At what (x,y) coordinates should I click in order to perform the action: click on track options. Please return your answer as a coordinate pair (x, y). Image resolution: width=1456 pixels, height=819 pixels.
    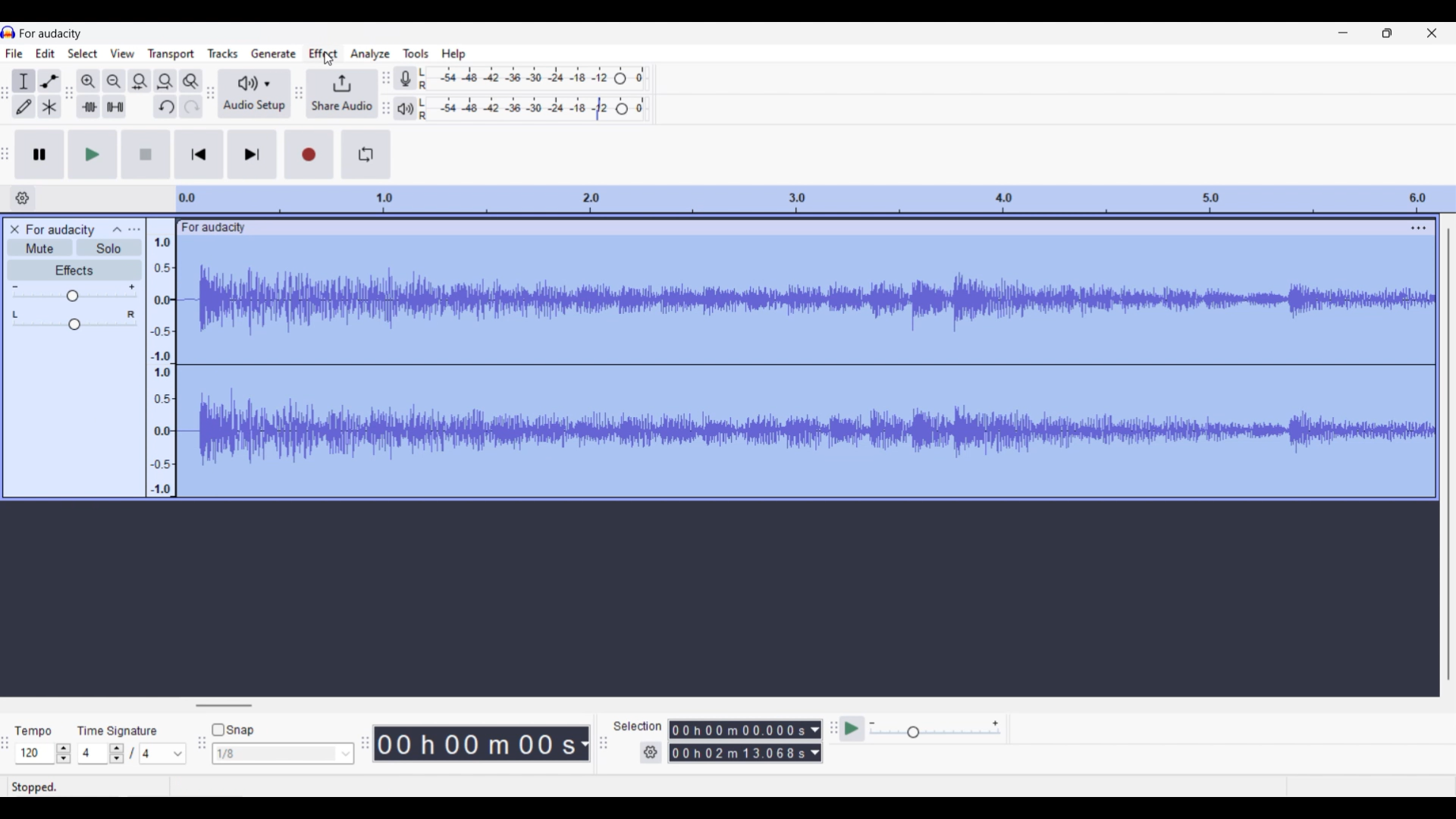
    Looking at the image, I should click on (1417, 227).